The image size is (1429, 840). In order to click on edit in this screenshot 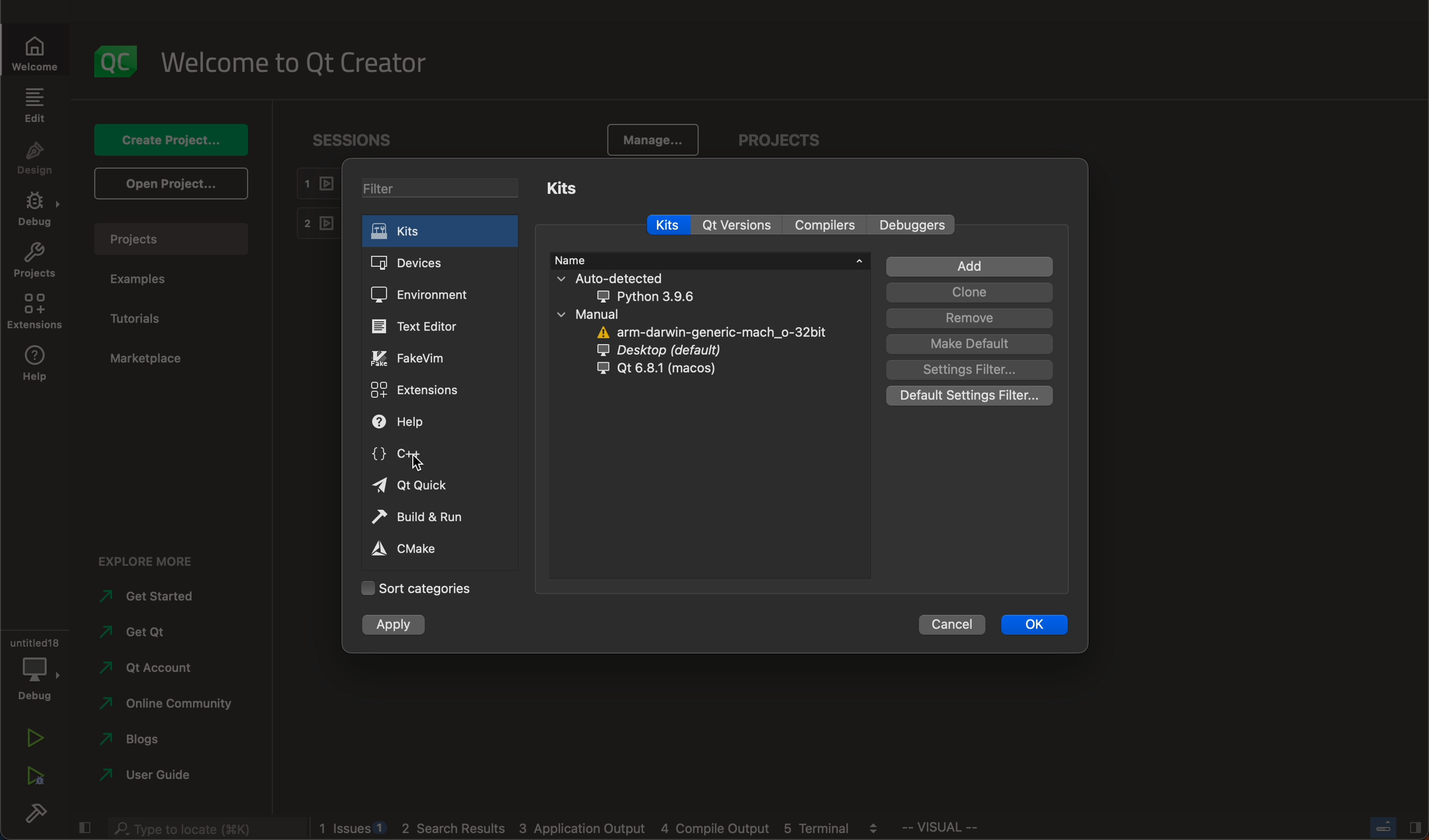, I will do `click(34, 105)`.